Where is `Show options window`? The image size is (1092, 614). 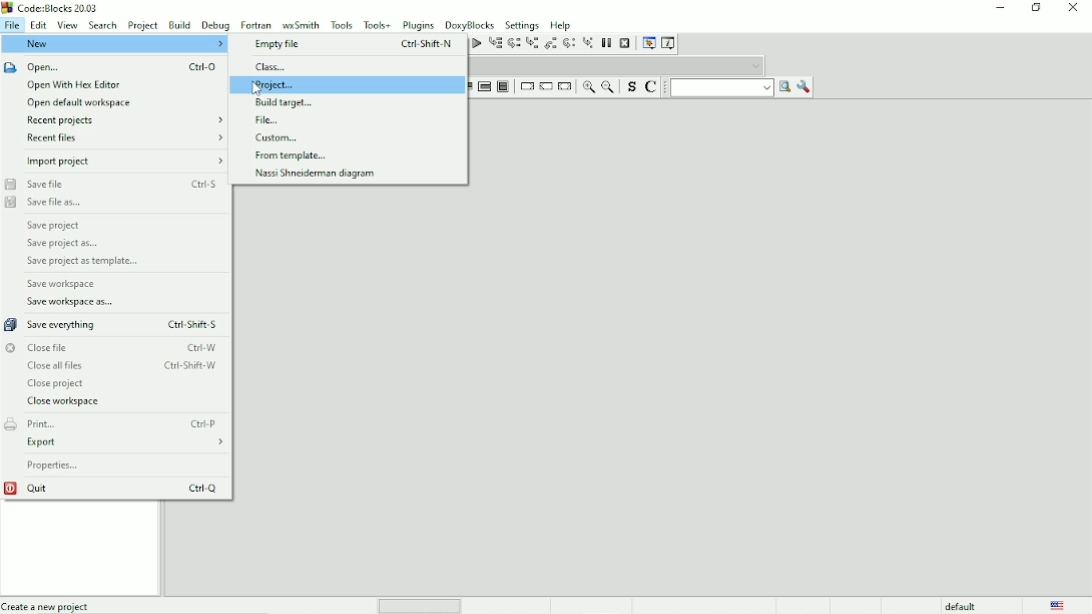 Show options window is located at coordinates (804, 87).